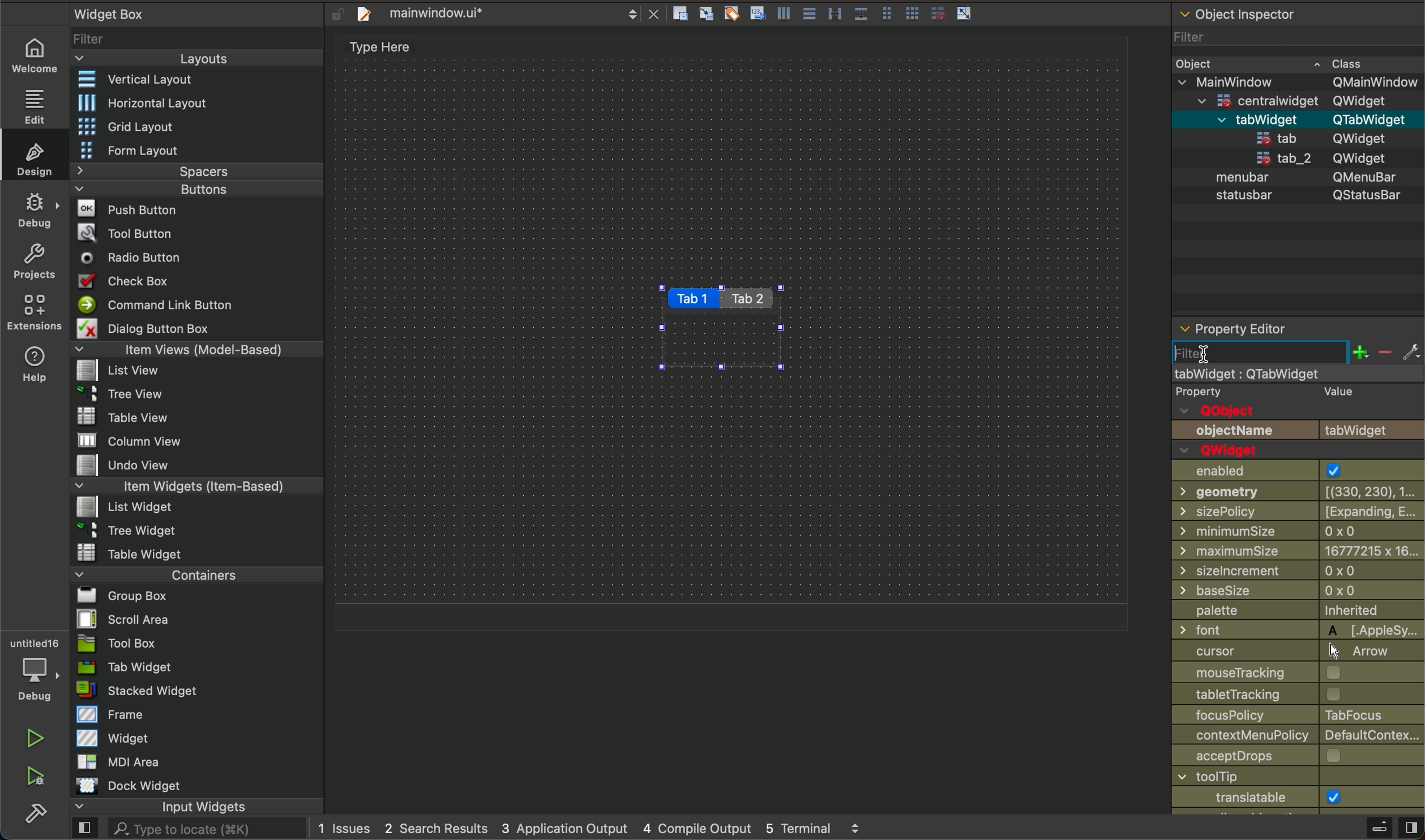 This screenshot has width=1425, height=840. I want to click on design, so click(34, 156).